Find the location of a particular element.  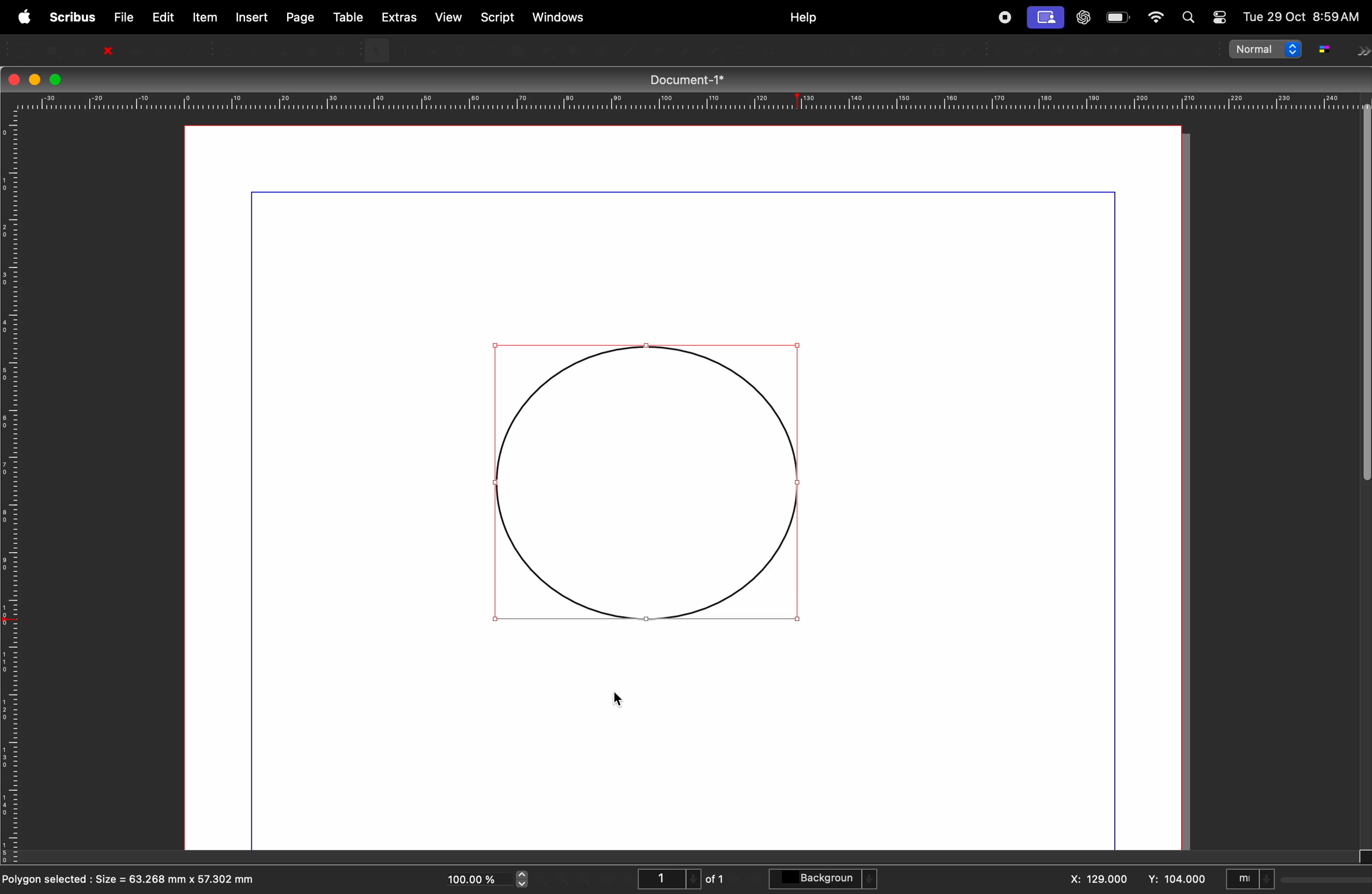

Measurements is located at coordinates (910, 51).